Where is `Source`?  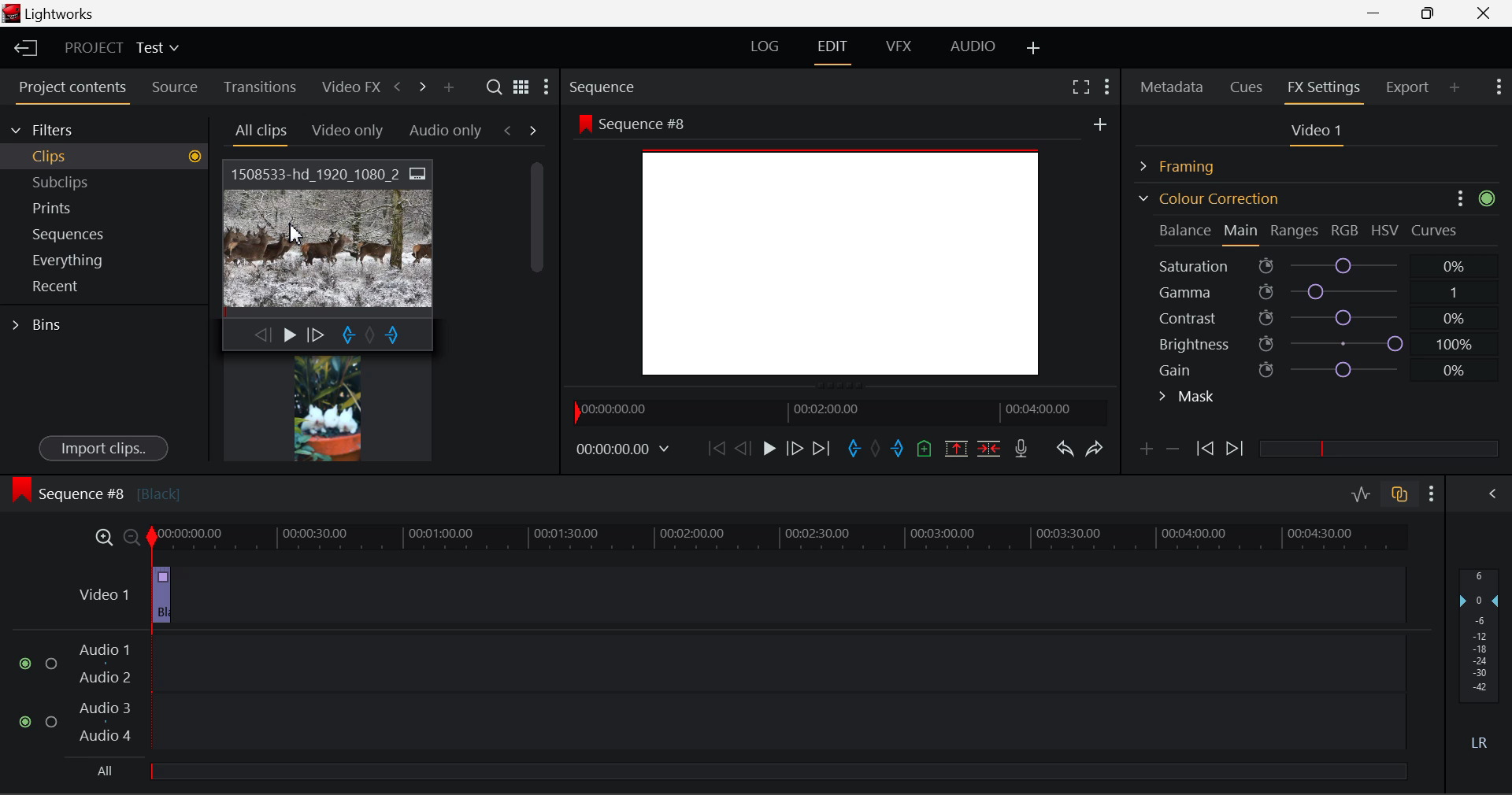
Source is located at coordinates (175, 87).